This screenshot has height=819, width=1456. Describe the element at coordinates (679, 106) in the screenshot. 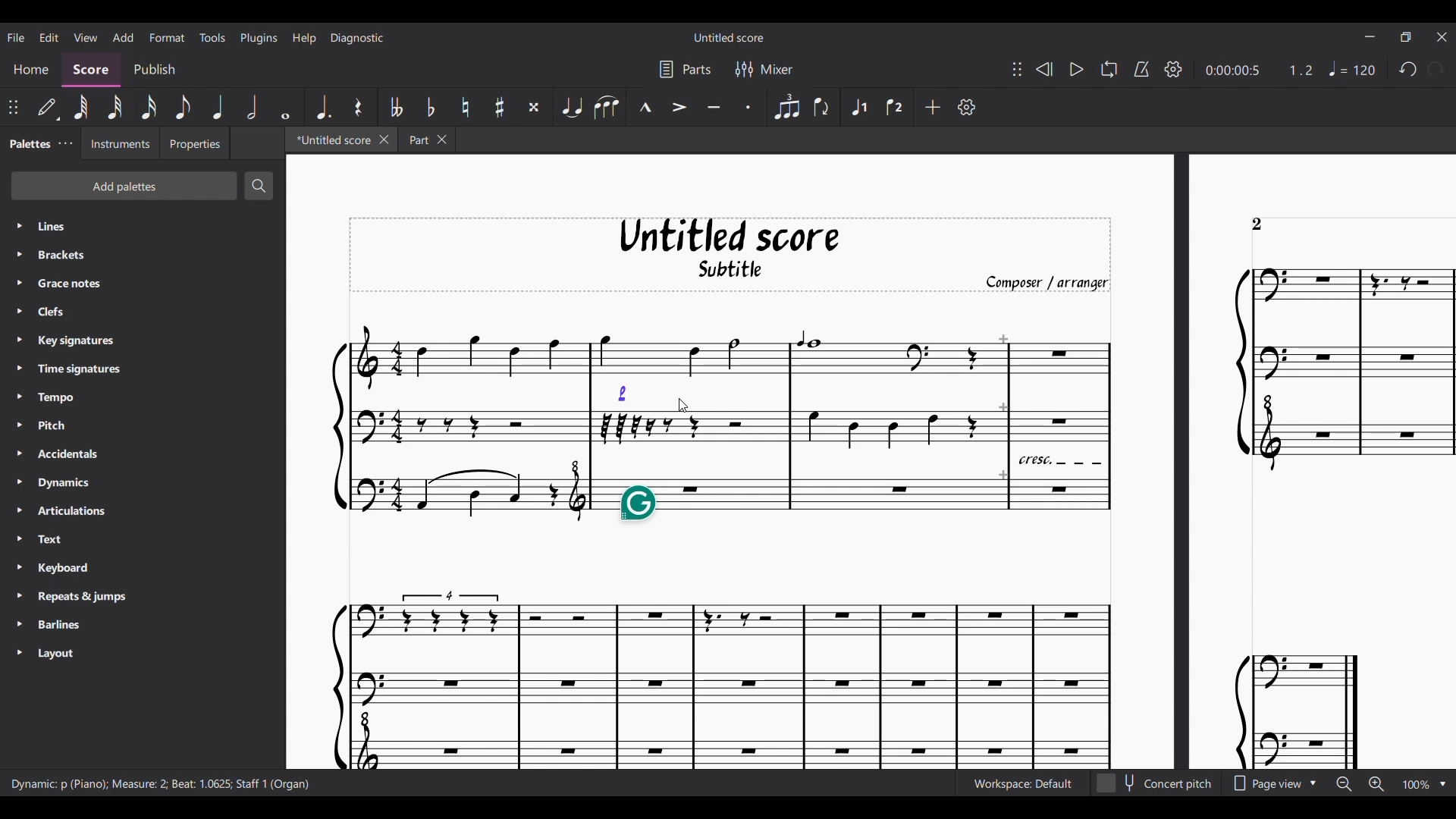

I see `Accent` at that location.